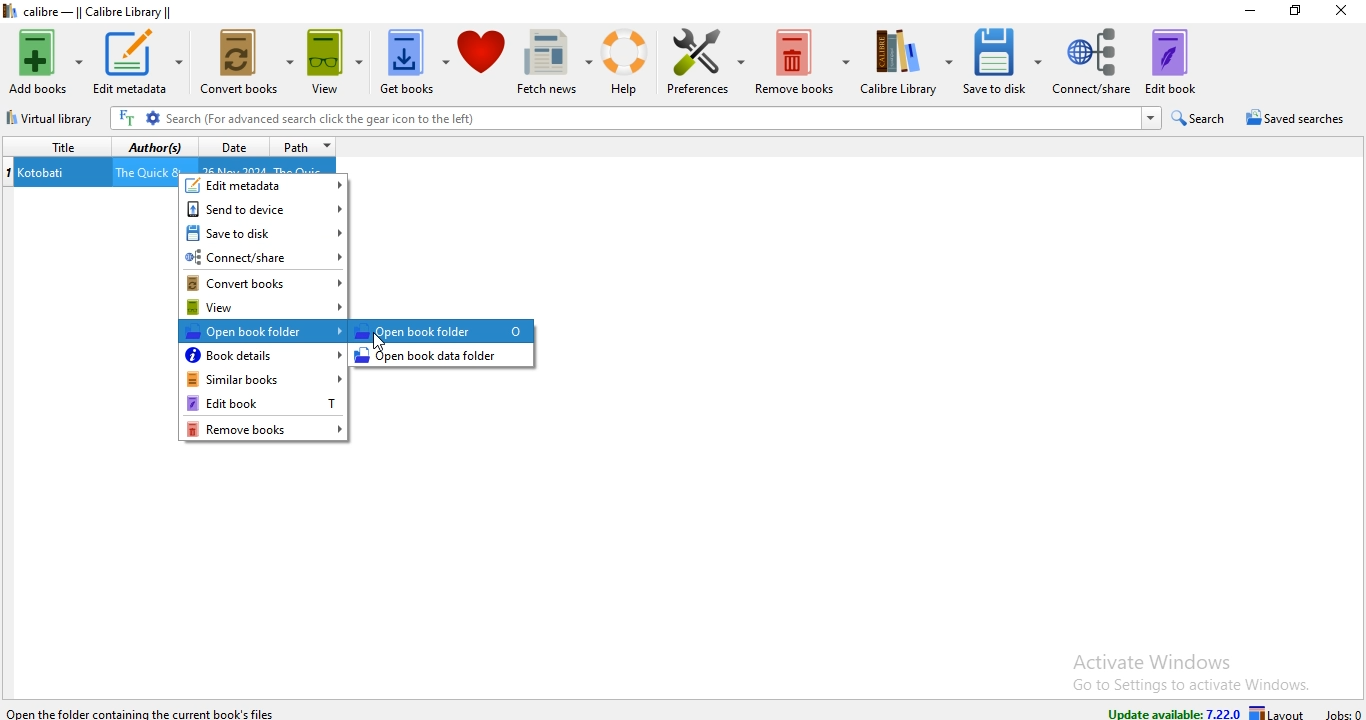 The height and width of the screenshot is (720, 1366). What do you see at coordinates (305, 146) in the screenshot?
I see `path` at bounding box center [305, 146].